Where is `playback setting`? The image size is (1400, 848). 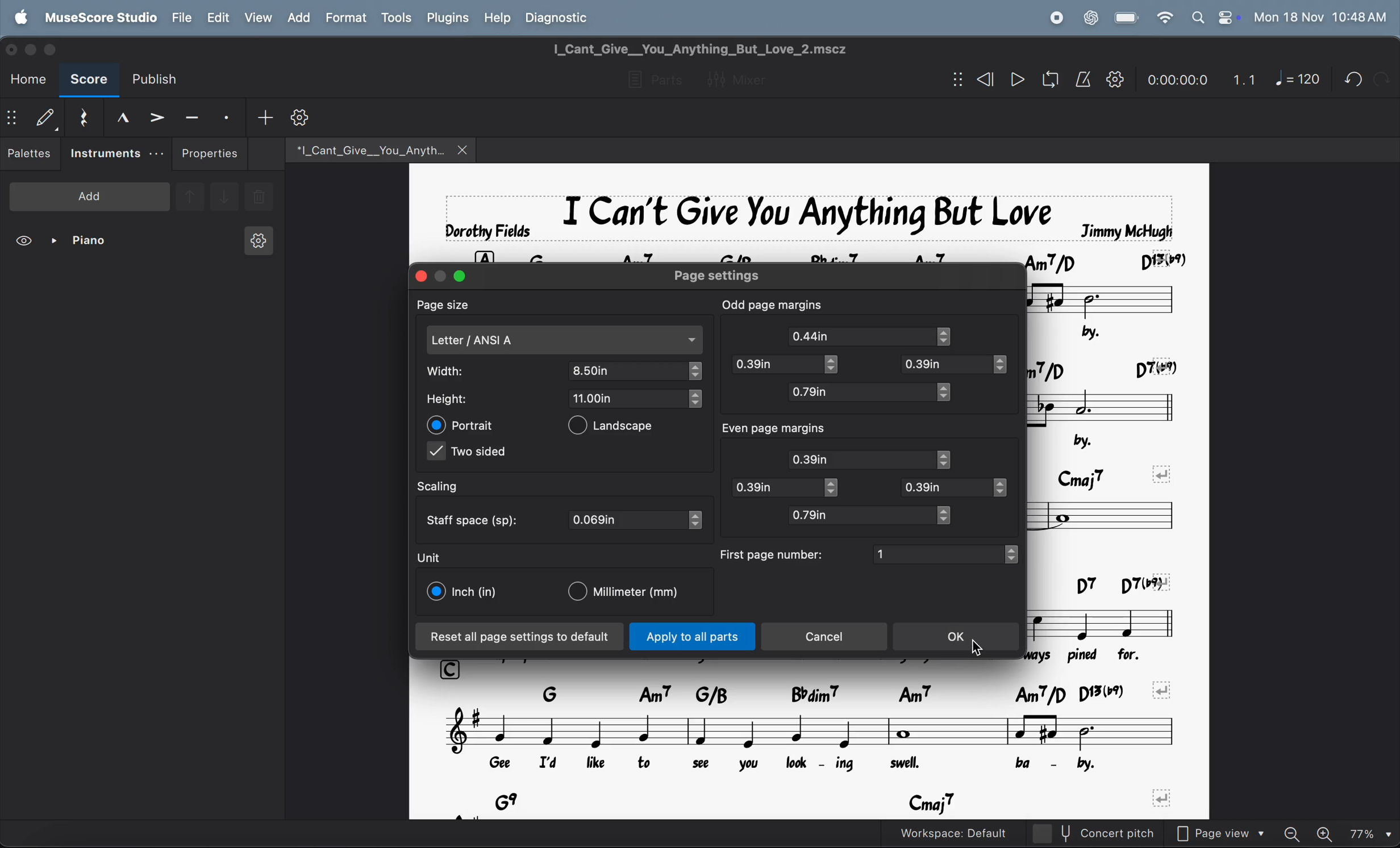 playback setting is located at coordinates (1115, 79).